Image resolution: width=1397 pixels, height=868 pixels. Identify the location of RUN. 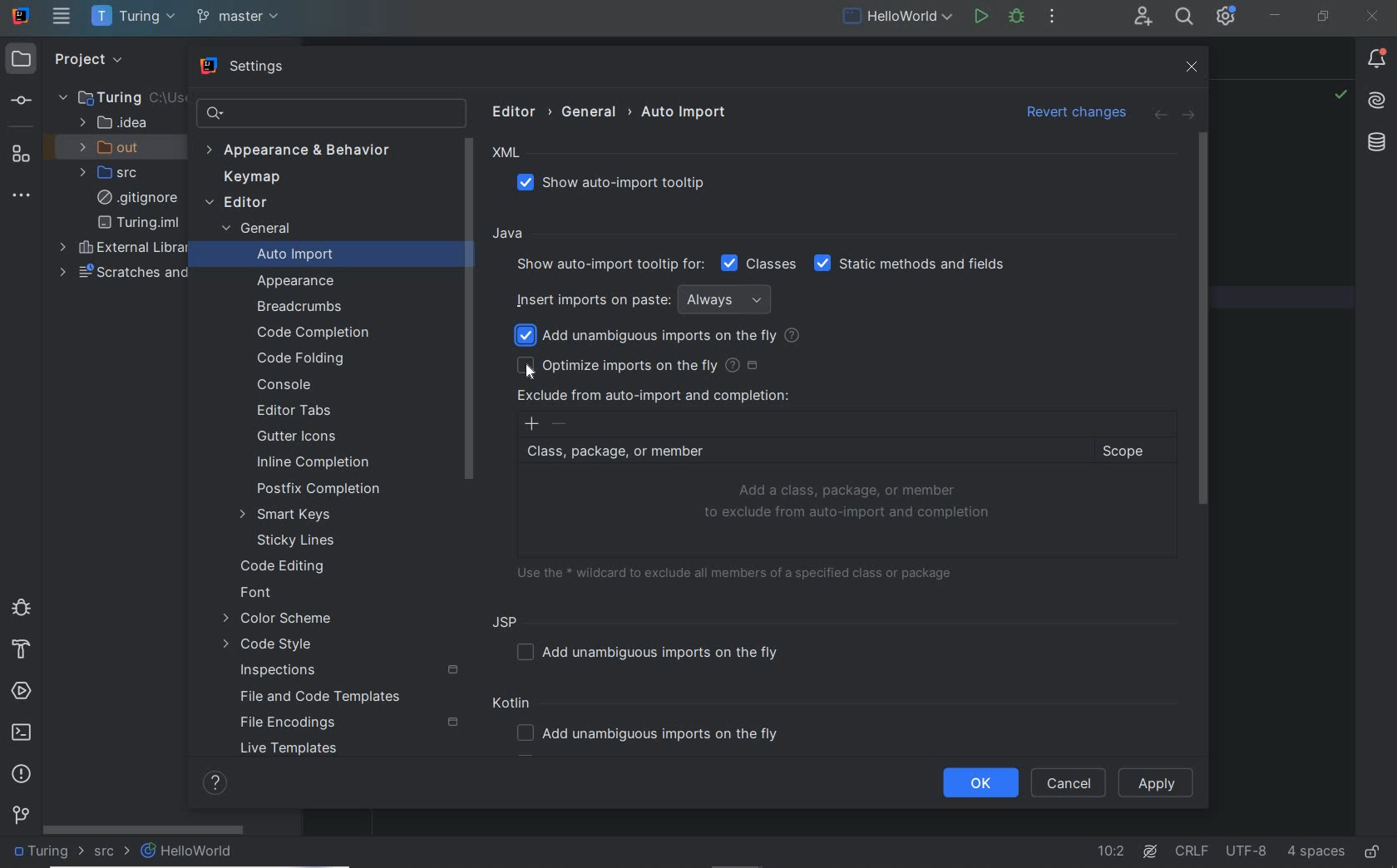
(979, 15).